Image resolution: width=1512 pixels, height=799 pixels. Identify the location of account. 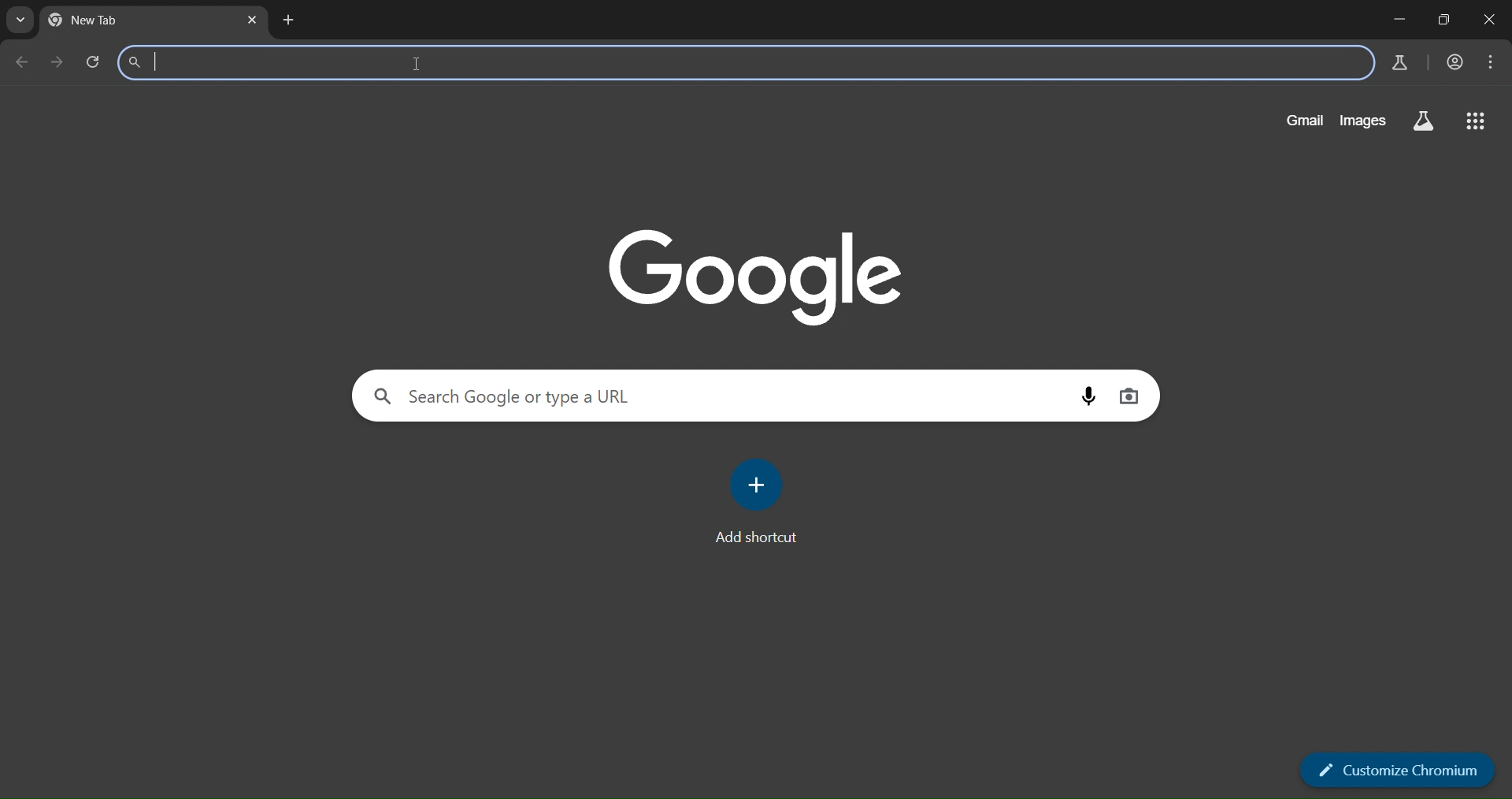
(1455, 63).